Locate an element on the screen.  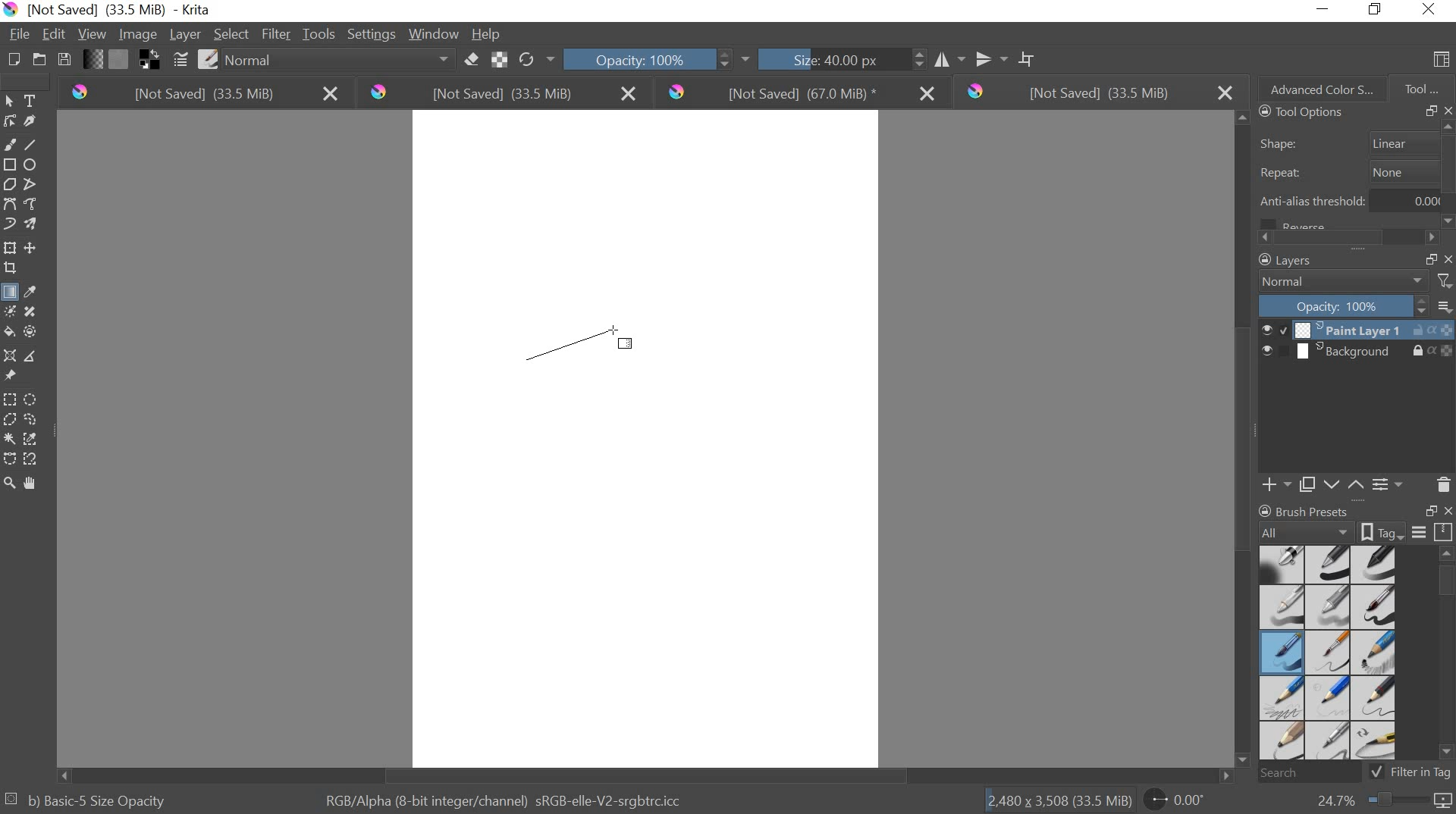
[not saved] (33.5 mb) is located at coordinates (504, 94).